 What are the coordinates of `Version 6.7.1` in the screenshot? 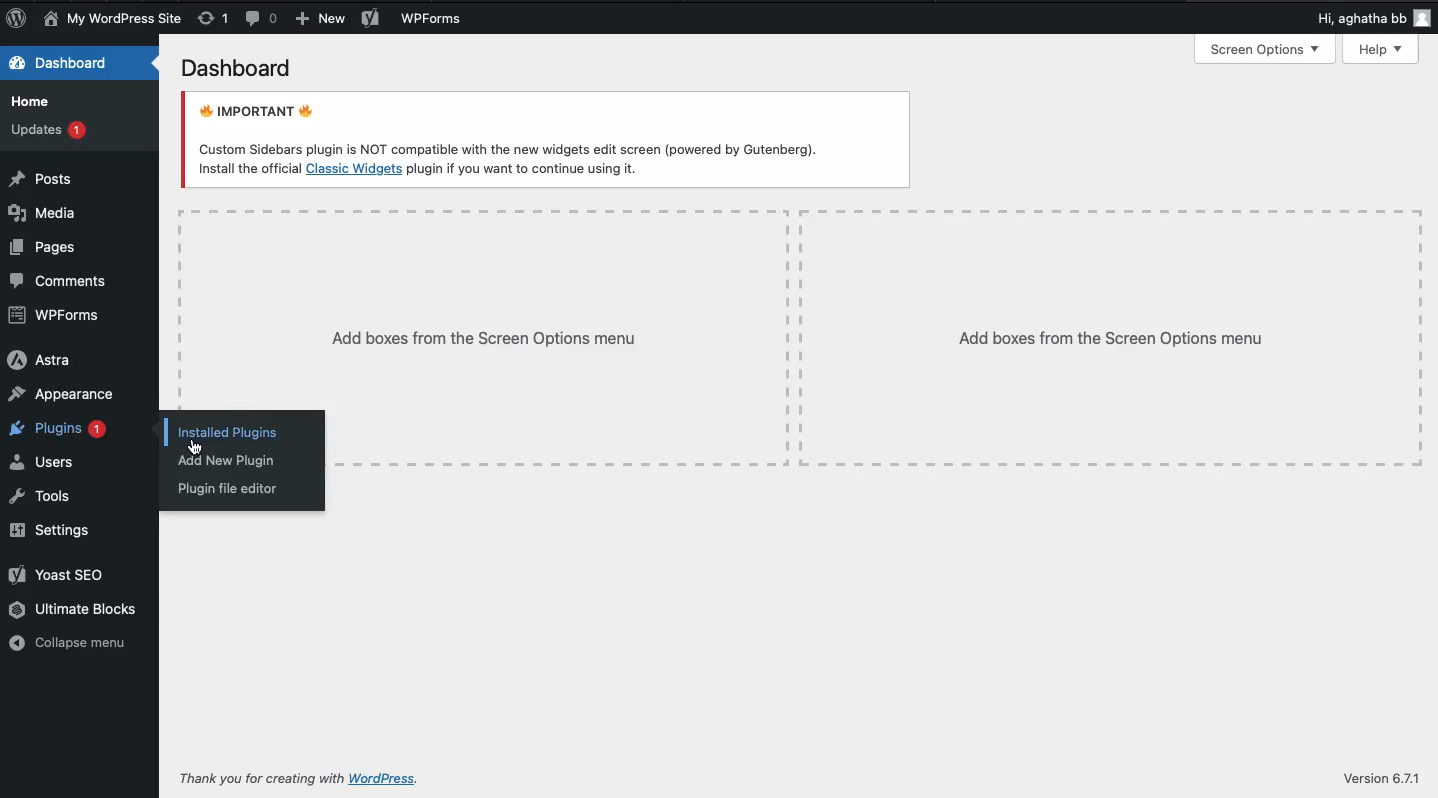 It's located at (1378, 779).